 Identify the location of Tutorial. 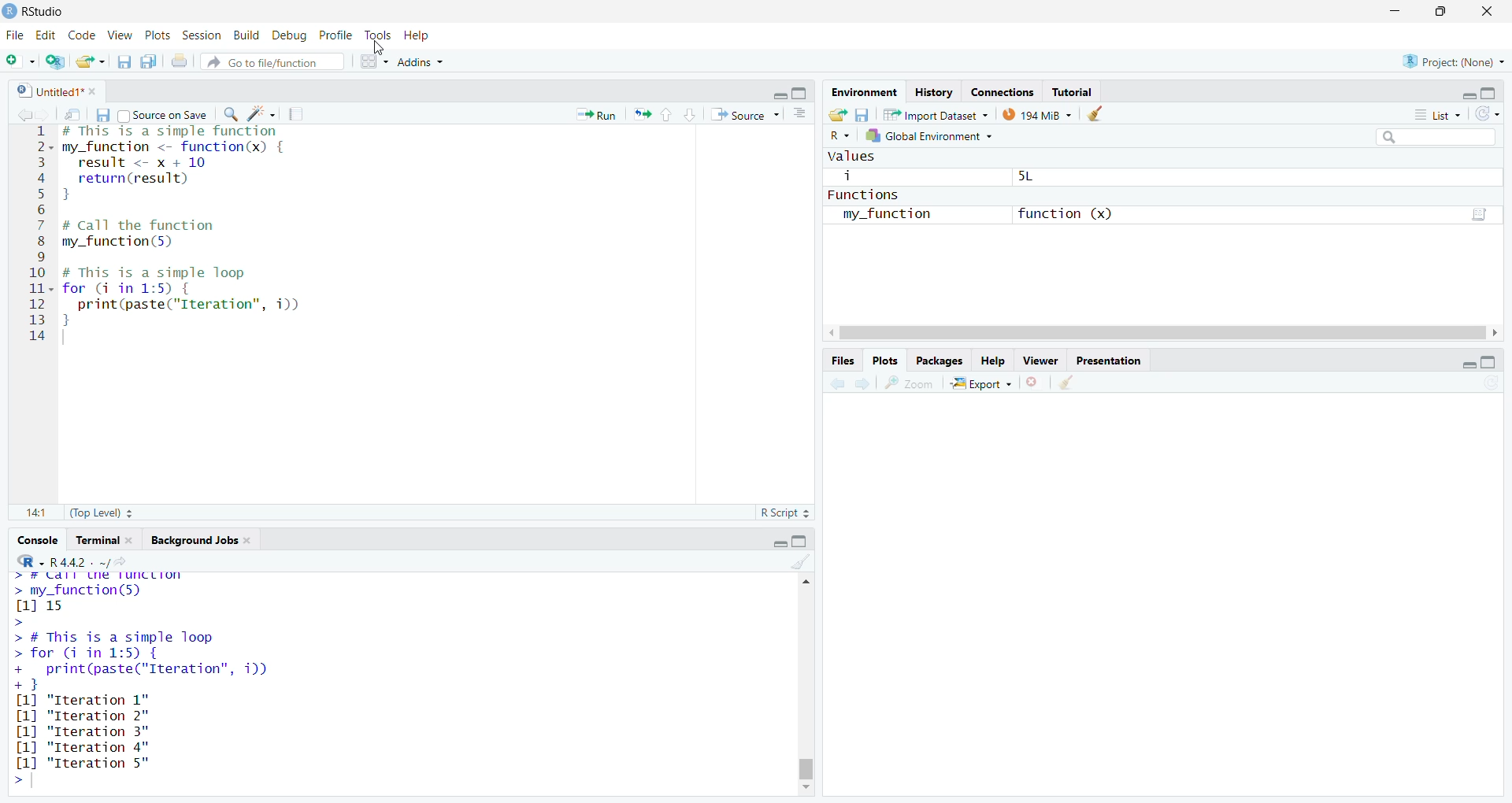
(1073, 91).